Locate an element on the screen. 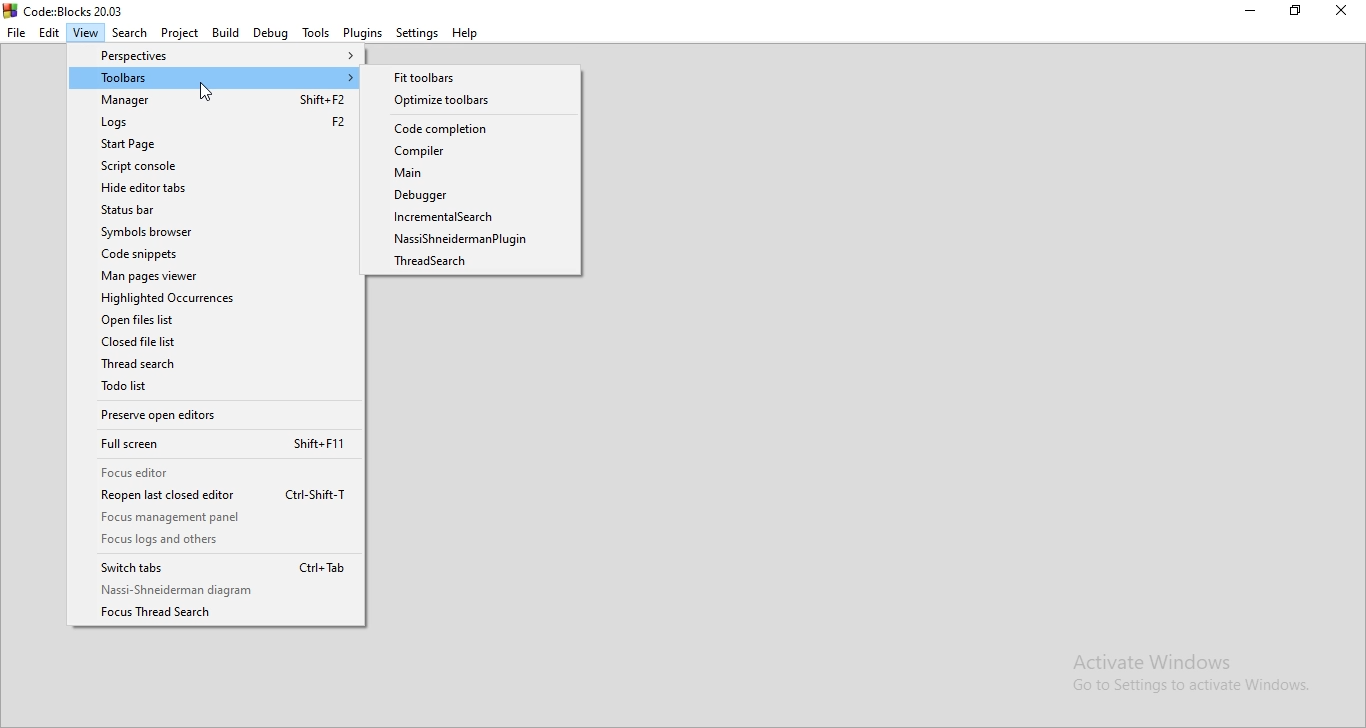 The image size is (1366, 728). Plugins  is located at coordinates (362, 32).